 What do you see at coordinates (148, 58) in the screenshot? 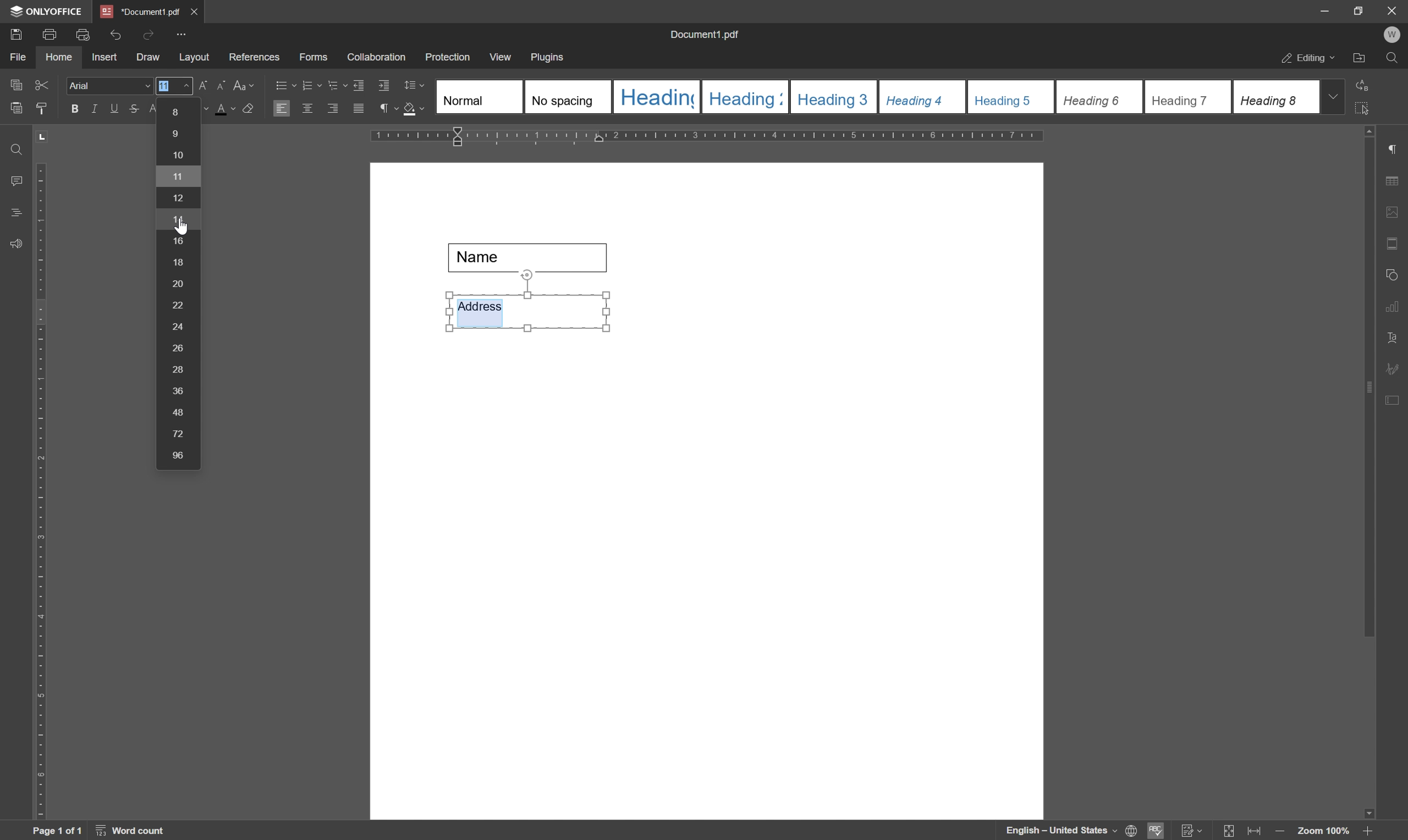
I see `draw` at bounding box center [148, 58].